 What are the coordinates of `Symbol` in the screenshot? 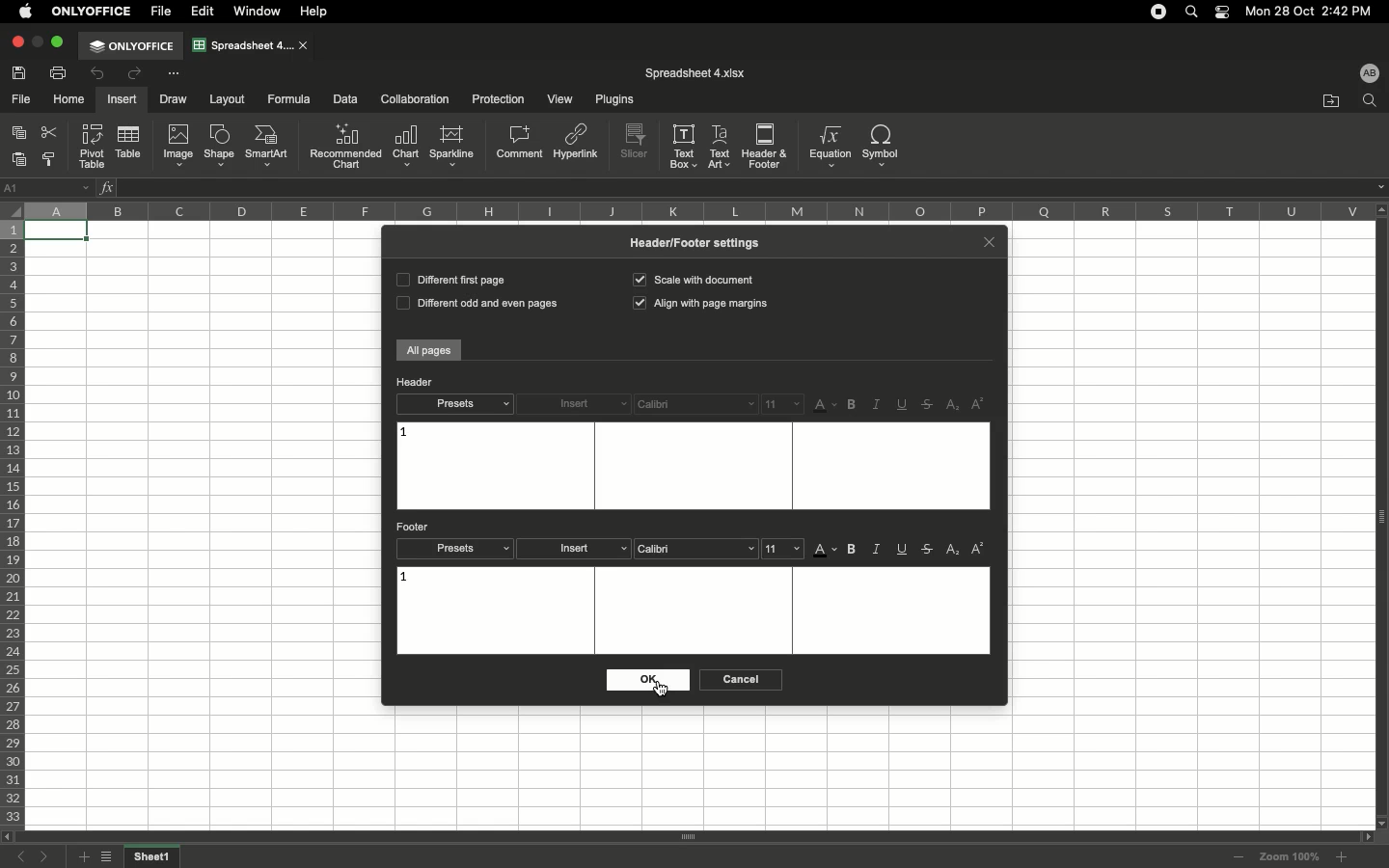 It's located at (883, 146).